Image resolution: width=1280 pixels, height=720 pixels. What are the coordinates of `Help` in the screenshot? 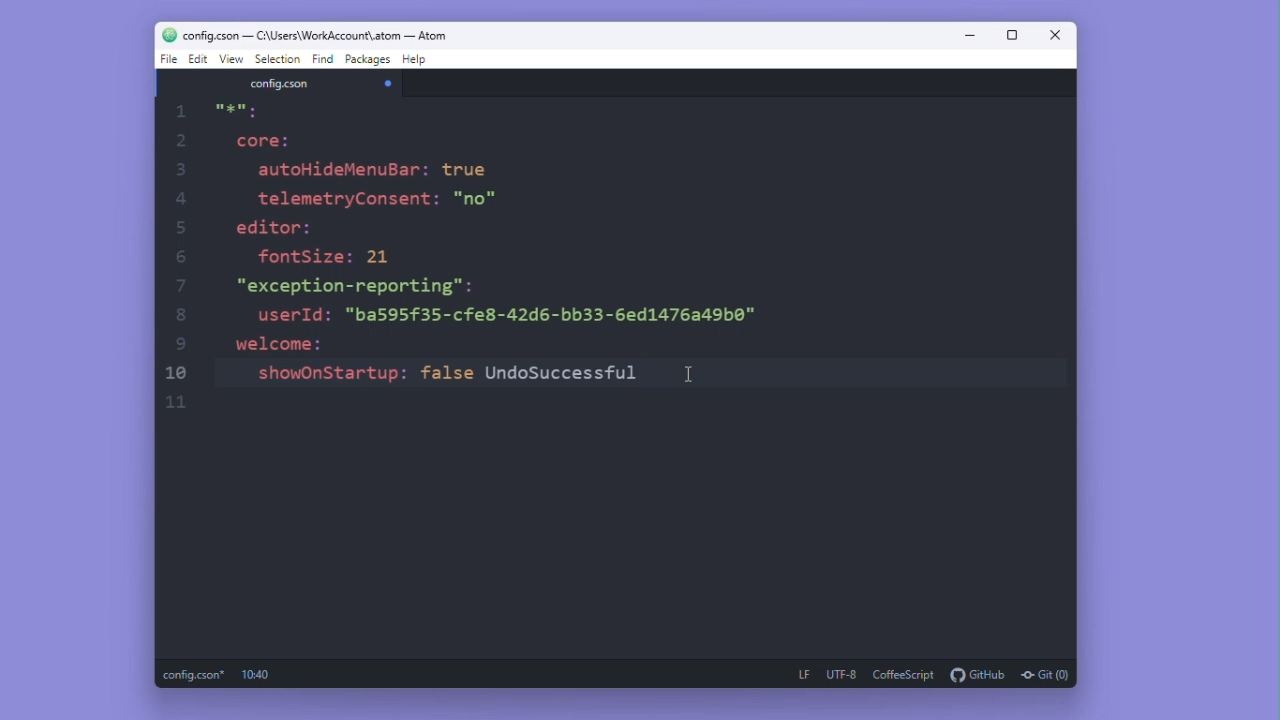 It's located at (417, 61).